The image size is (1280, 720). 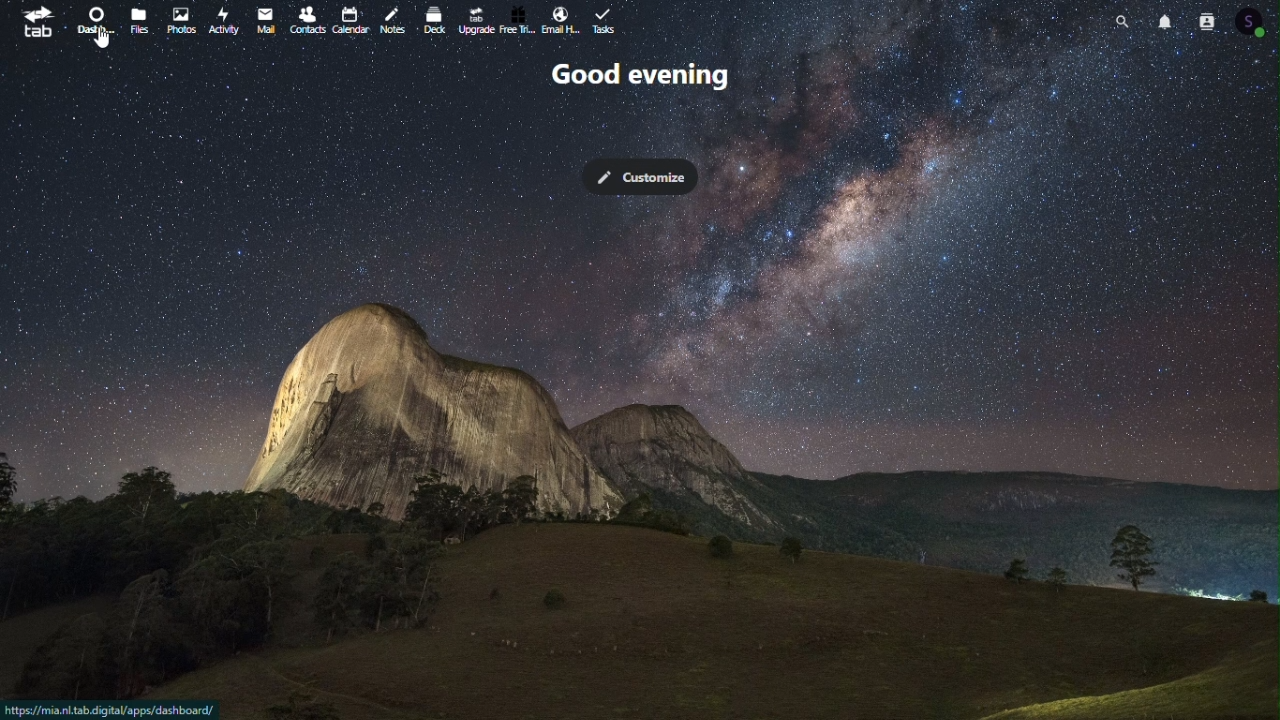 What do you see at coordinates (607, 19) in the screenshot?
I see `Tasks` at bounding box center [607, 19].